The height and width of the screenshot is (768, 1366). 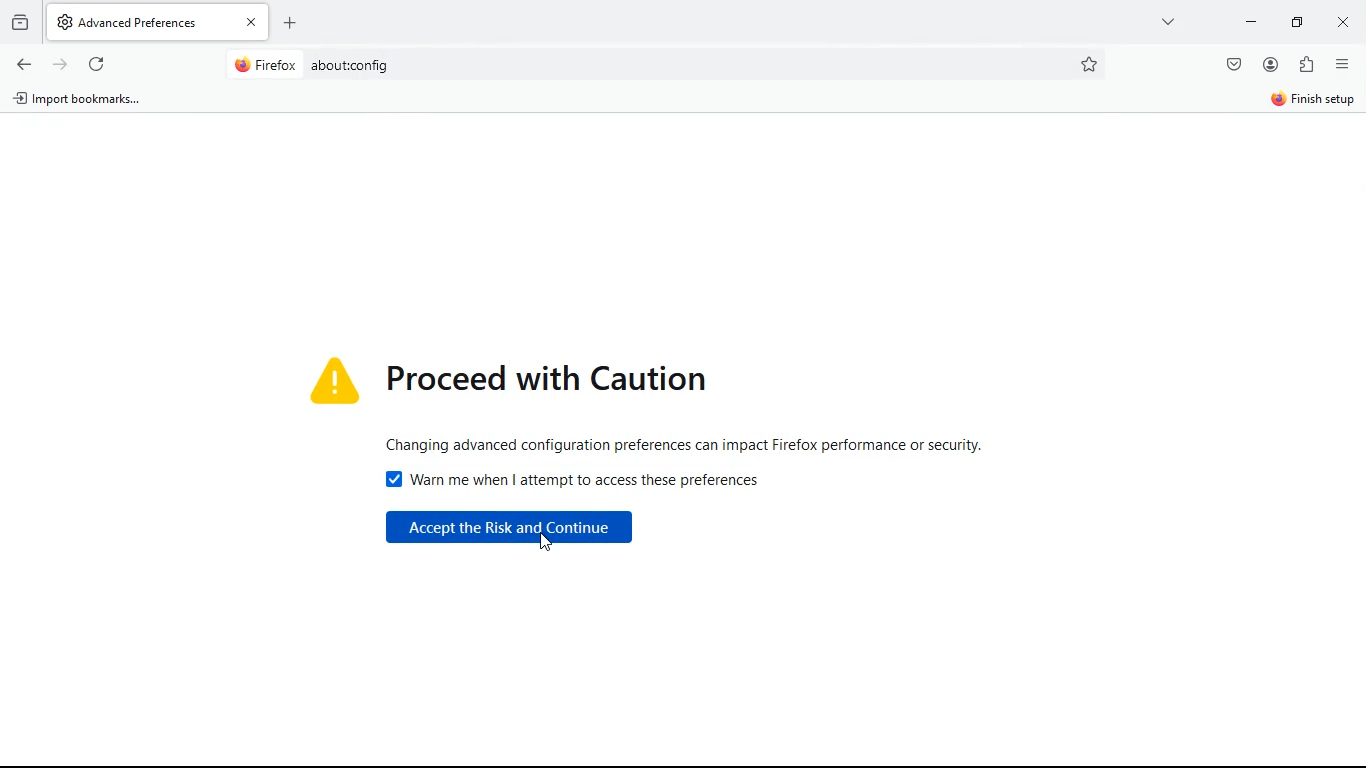 What do you see at coordinates (549, 540) in the screenshot?
I see `Cursor` at bounding box center [549, 540].